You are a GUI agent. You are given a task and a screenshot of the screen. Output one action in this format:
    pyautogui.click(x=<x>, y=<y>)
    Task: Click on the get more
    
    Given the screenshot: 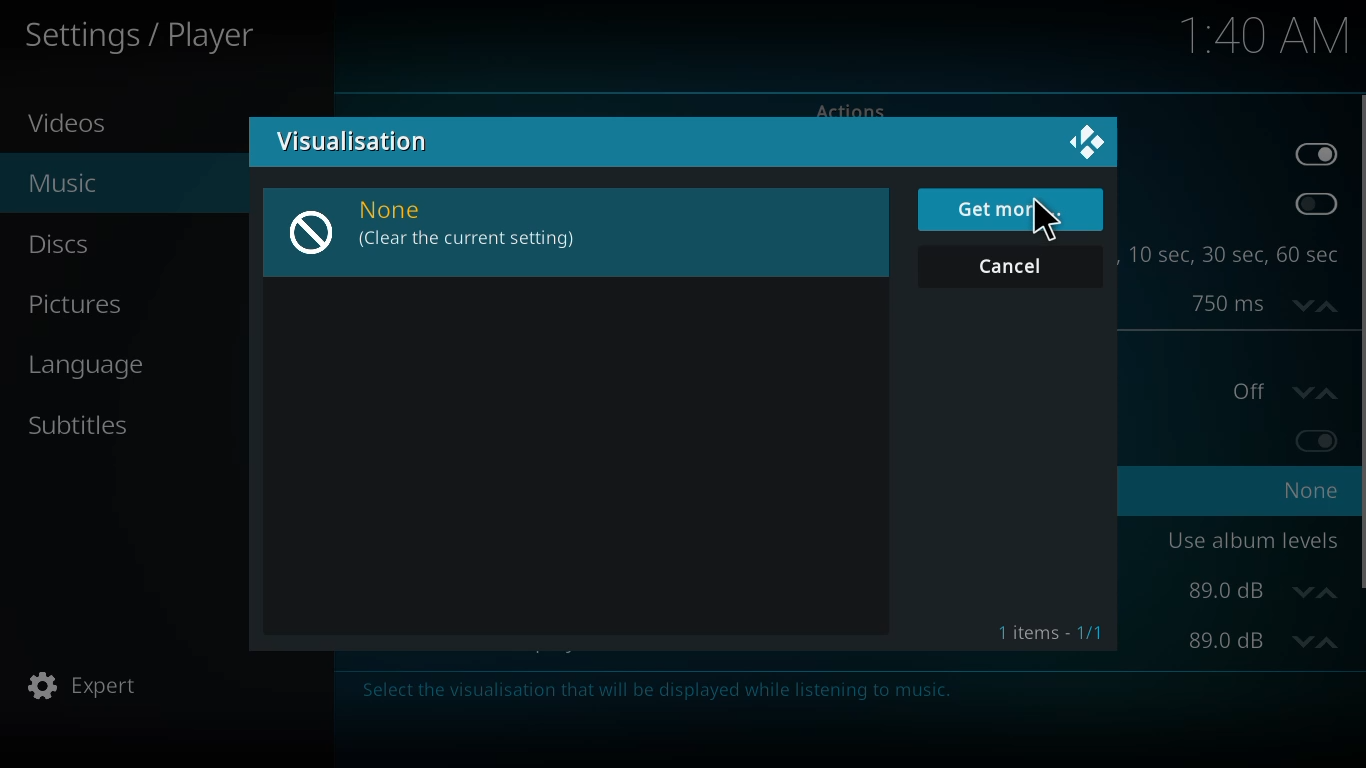 What is the action you would take?
    pyautogui.click(x=1003, y=209)
    